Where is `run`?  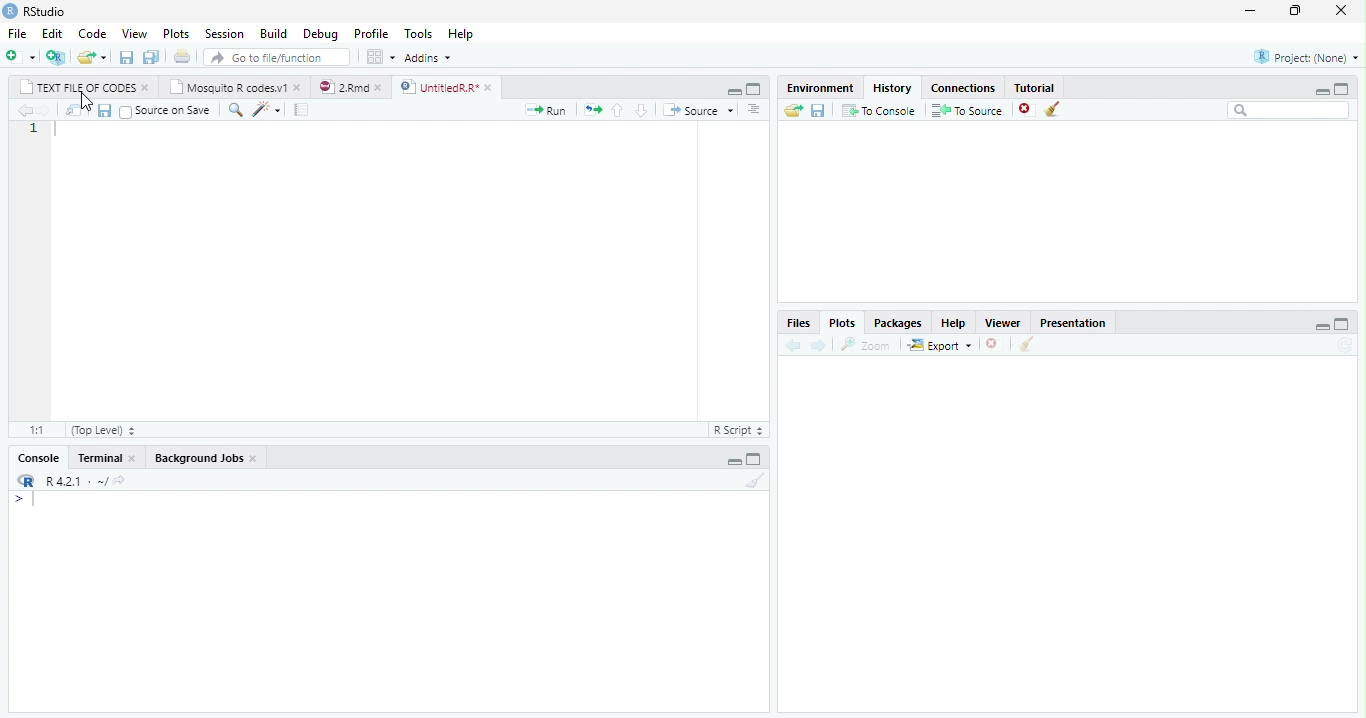
run is located at coordinates (549, 109).